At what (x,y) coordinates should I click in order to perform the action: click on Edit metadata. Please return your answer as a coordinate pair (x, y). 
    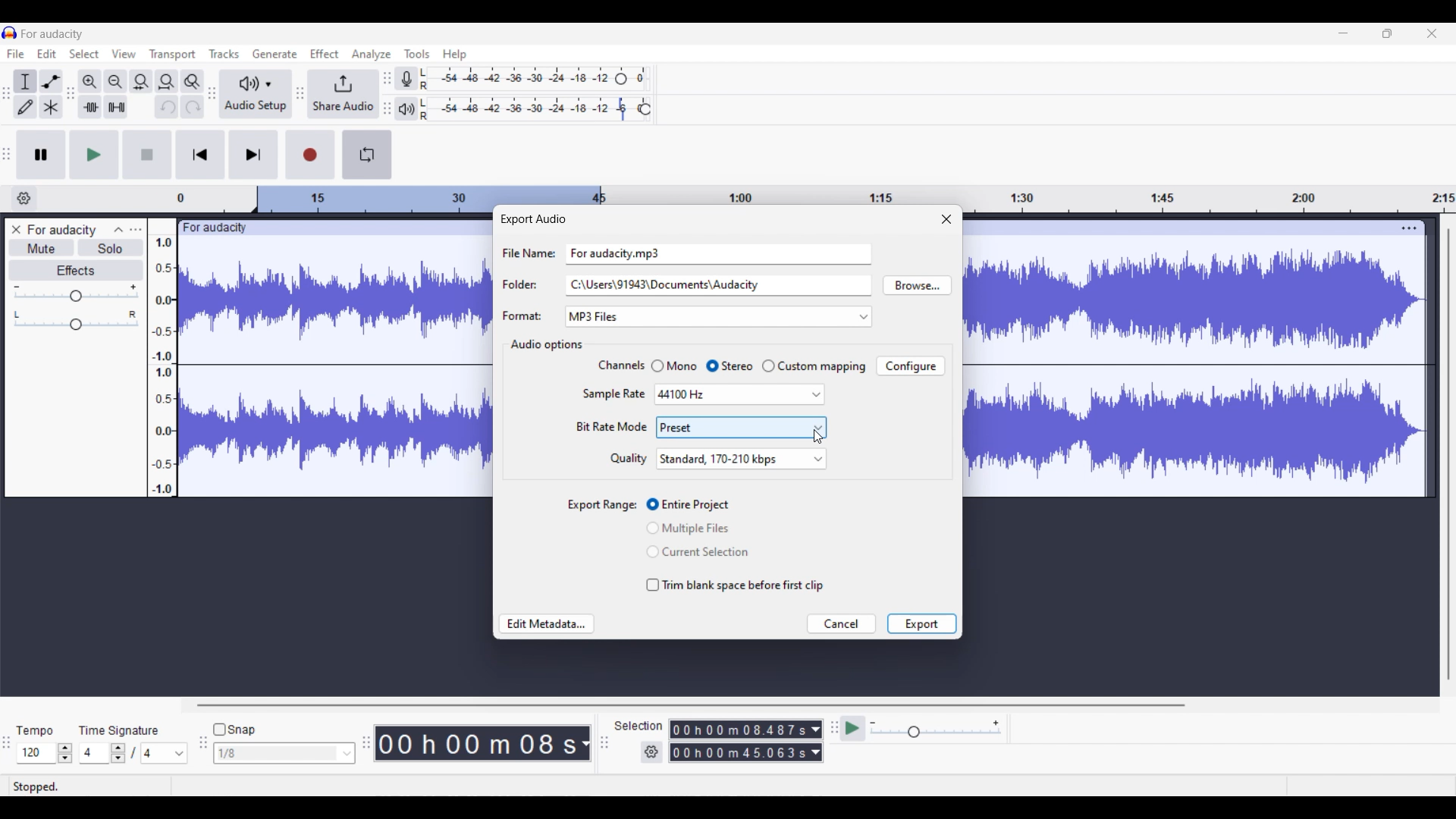
    Looking at the image, I should click on (546, 624).